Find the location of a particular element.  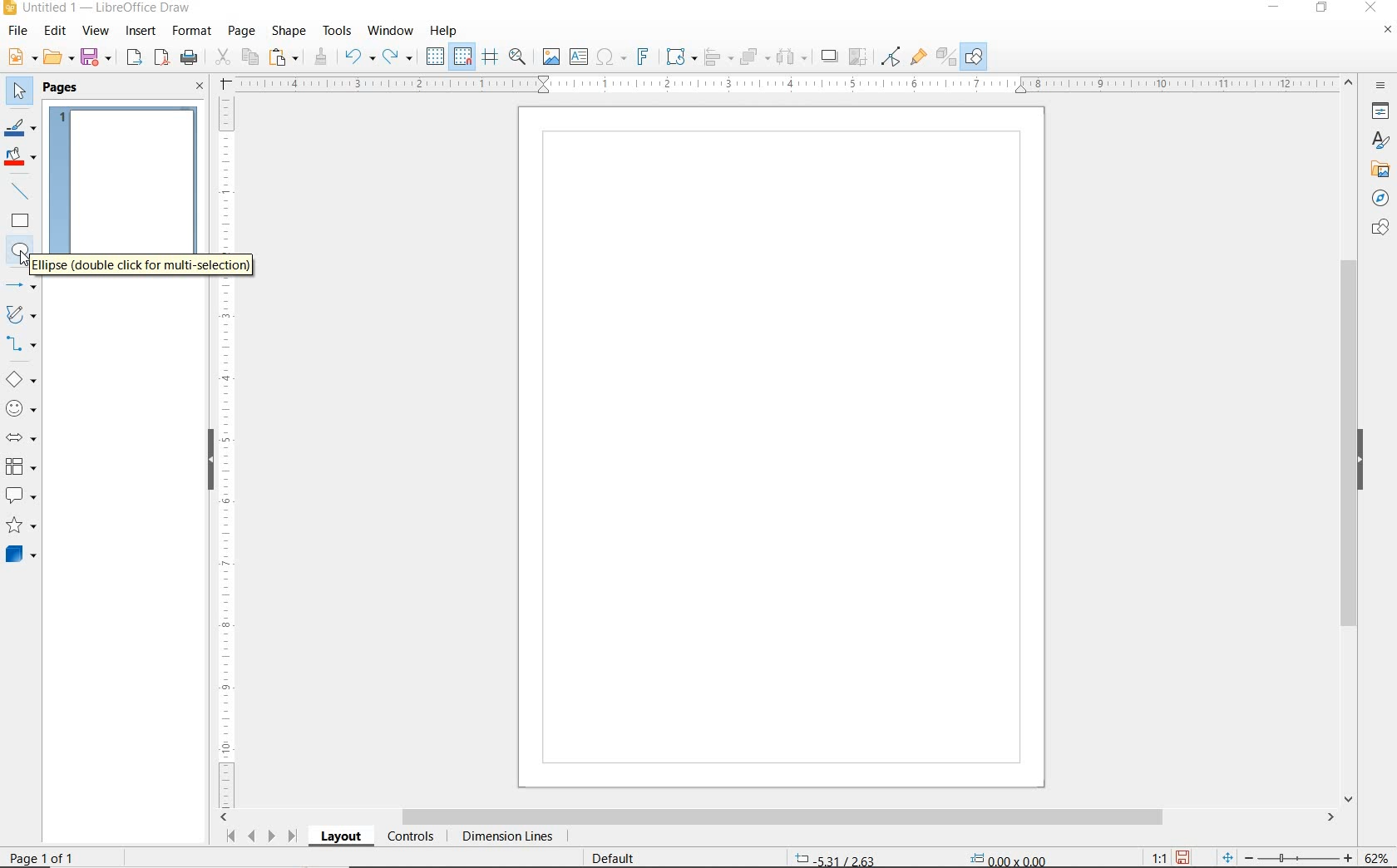

PAGE 1 is located at coordinates (124, 195).